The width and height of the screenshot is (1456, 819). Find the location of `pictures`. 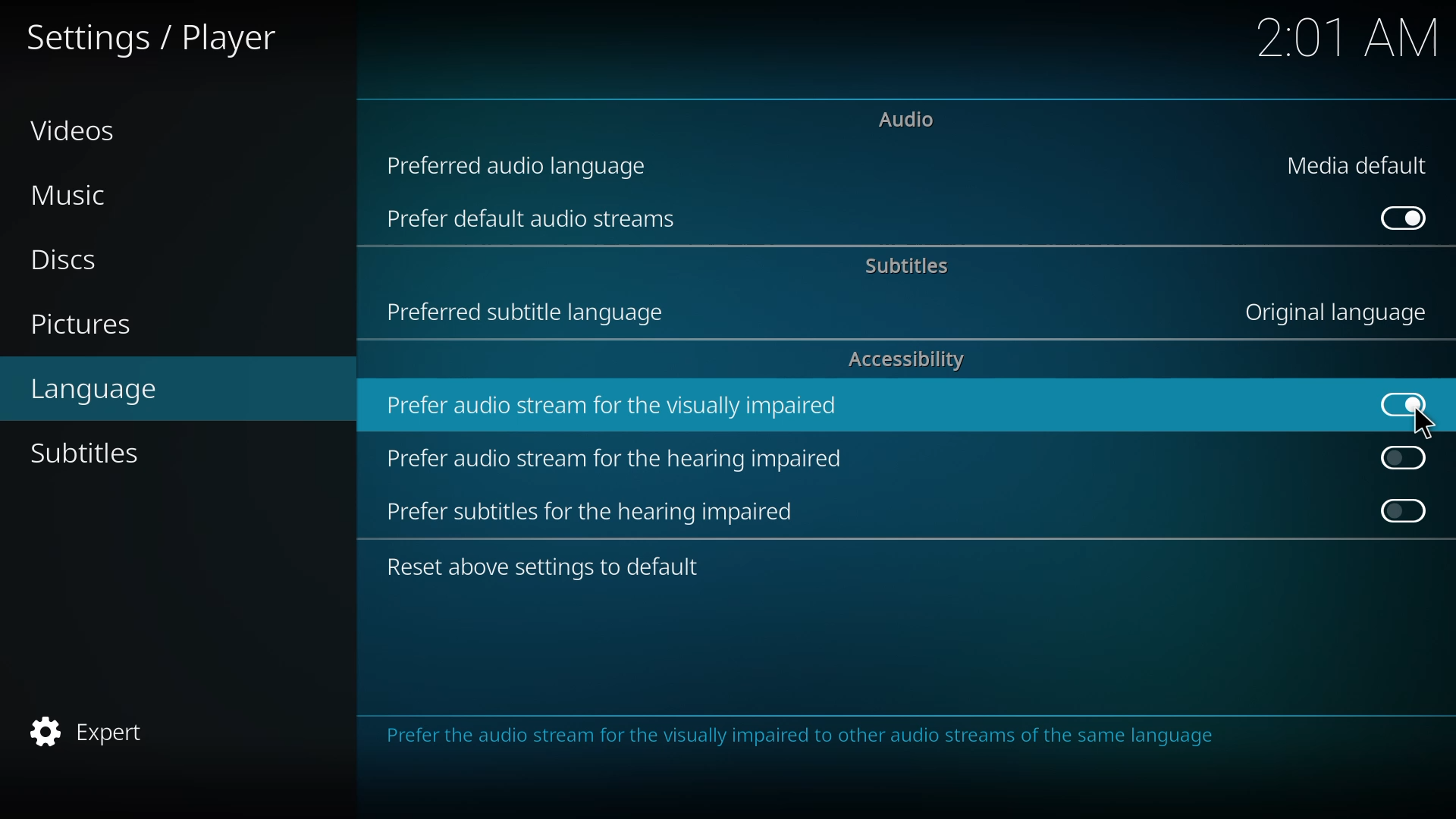

pictures is located at coordinates (82, 326).